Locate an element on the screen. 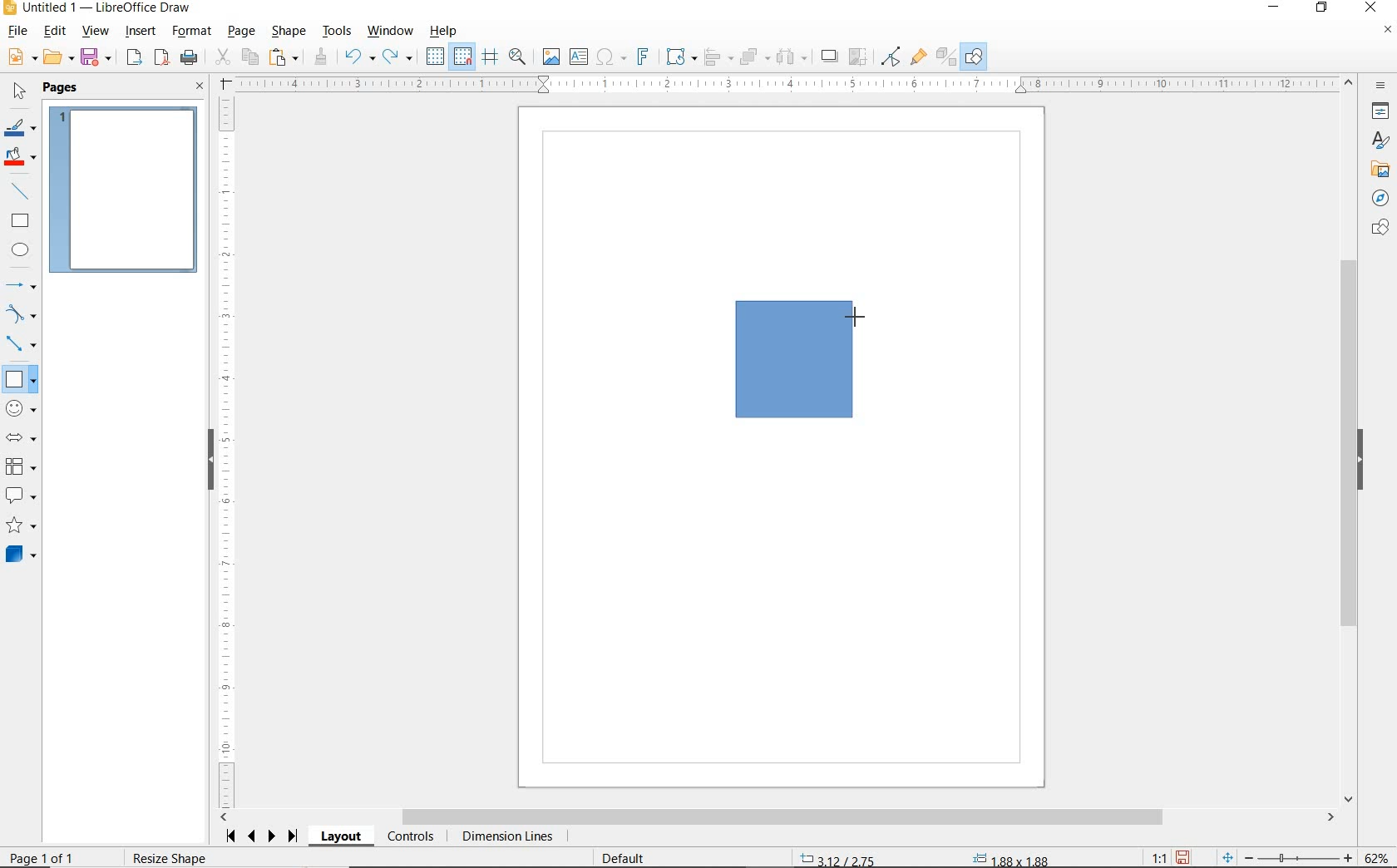 The image size is (1397, 868). ZOOM OUT OR ZOOM IN is located at coordinates (1288, 855).